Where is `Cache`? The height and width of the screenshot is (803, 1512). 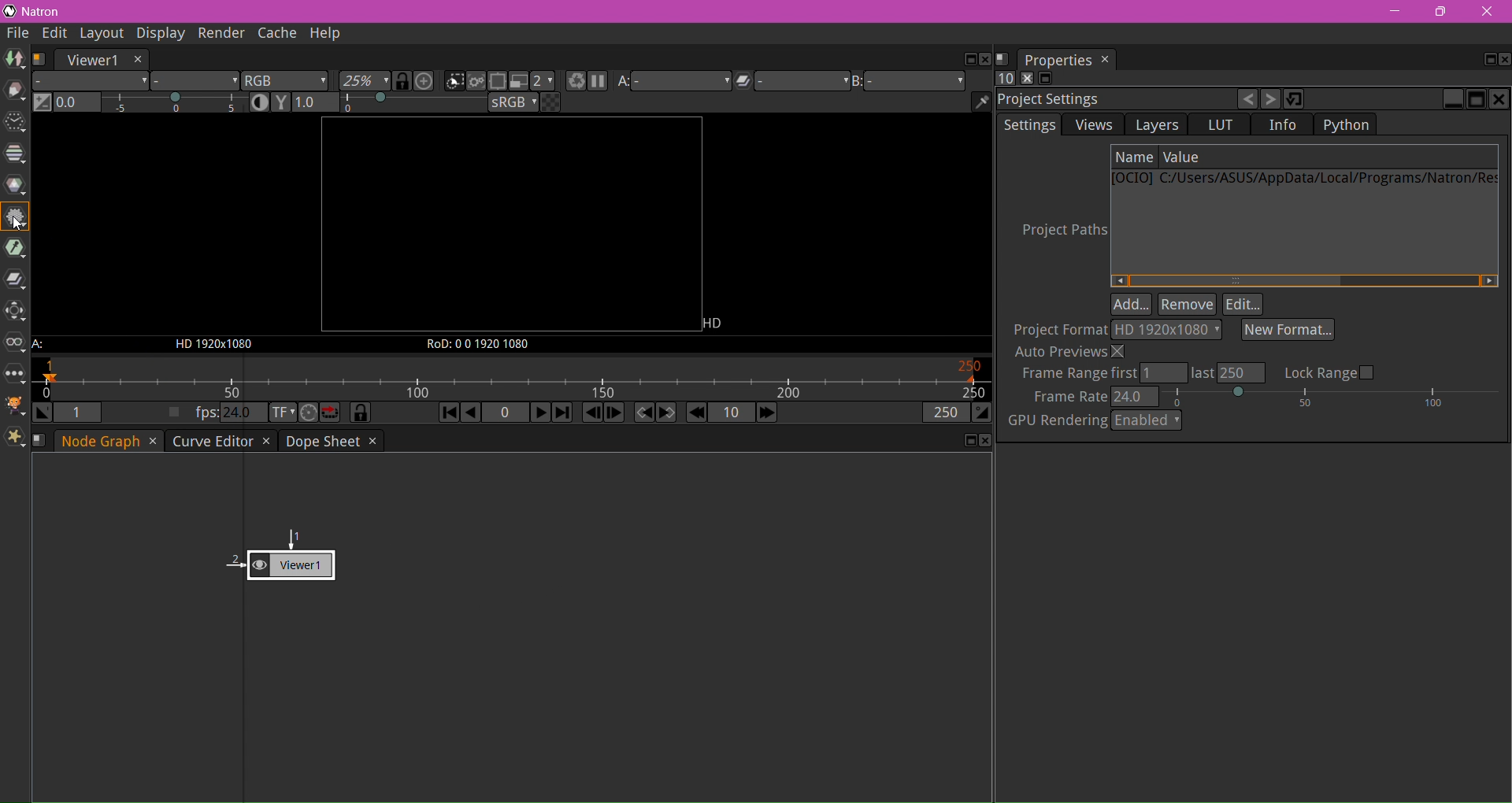
Cache is located at coordinates (276, 35).